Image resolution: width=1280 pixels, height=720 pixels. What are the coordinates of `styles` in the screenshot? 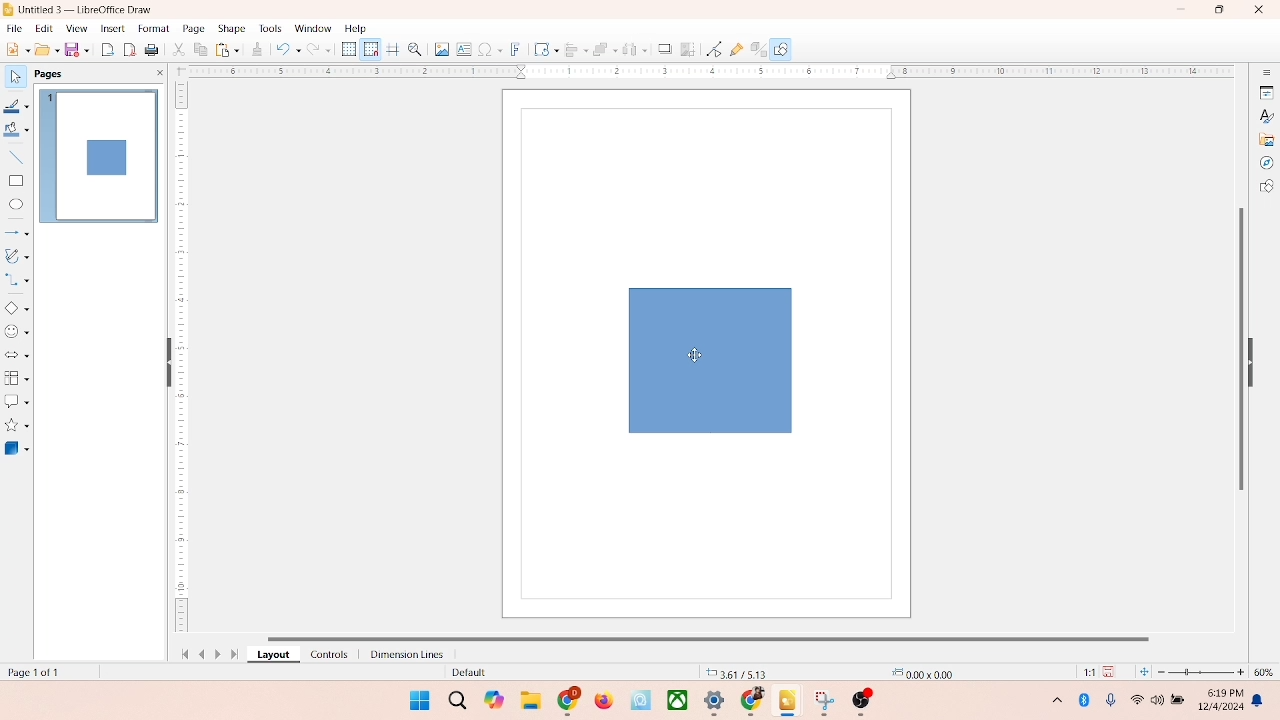 It's located at (1265, 115).